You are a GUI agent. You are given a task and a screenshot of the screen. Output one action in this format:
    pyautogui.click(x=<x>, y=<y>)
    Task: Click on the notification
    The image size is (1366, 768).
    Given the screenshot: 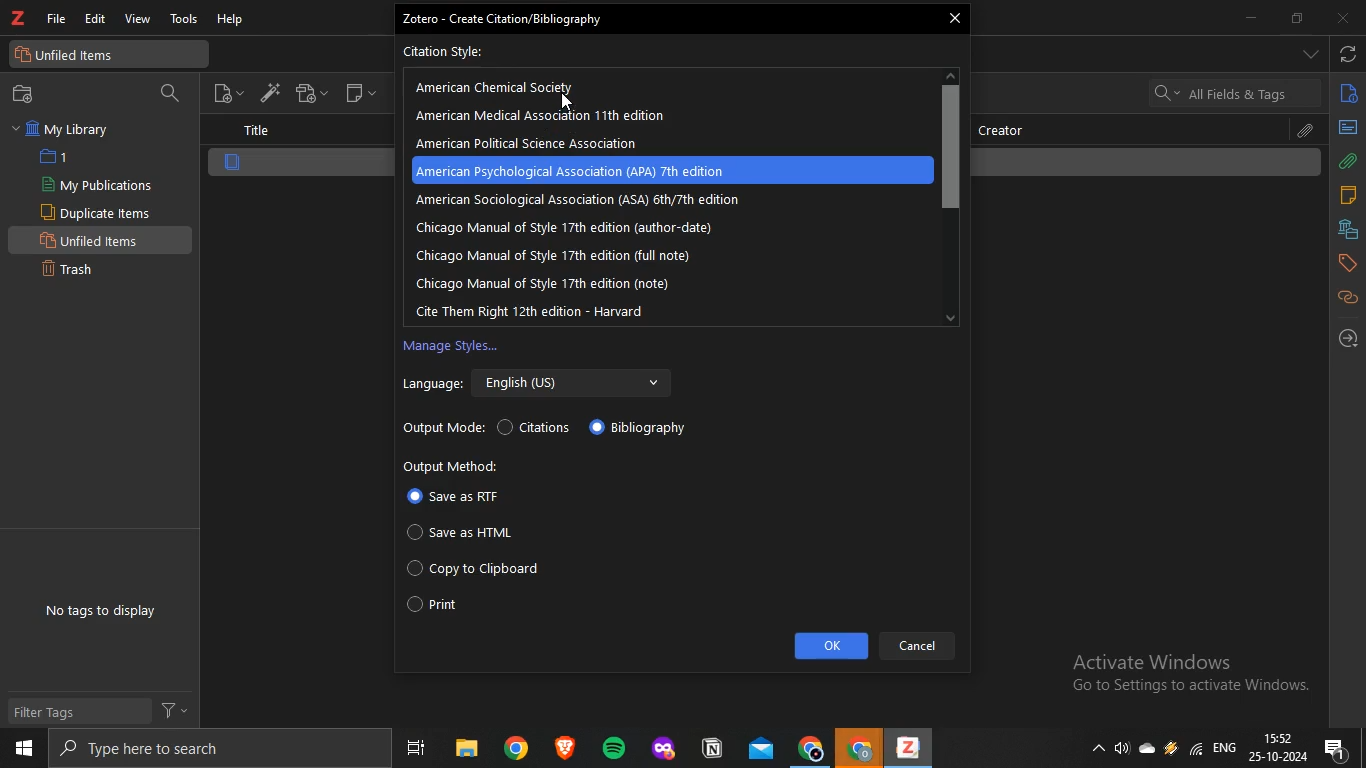 What is the action you would take?
    pyautogui.click(x=1337, y=748)
    